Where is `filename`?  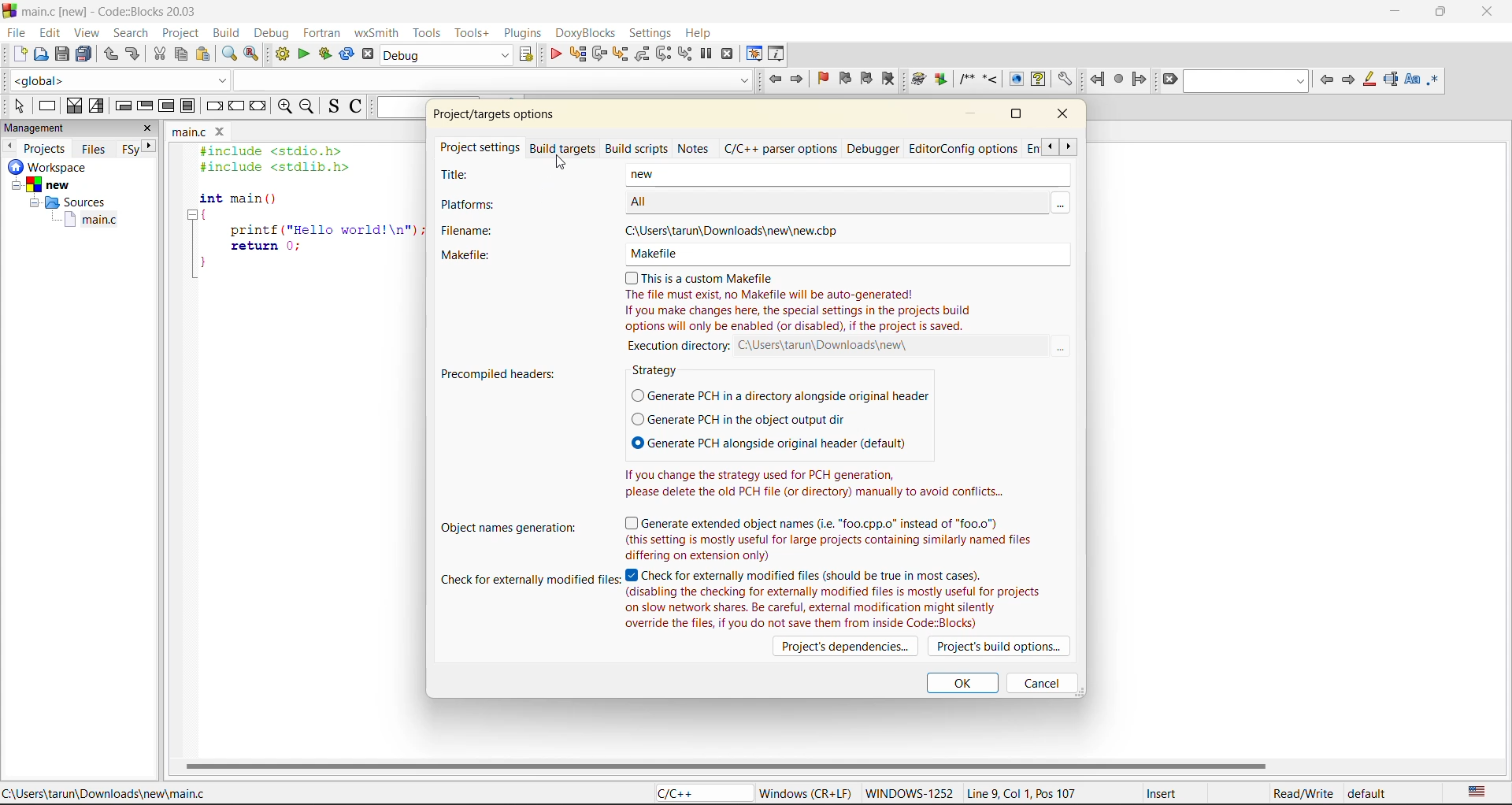 filename is located at coordinates (497, 231).